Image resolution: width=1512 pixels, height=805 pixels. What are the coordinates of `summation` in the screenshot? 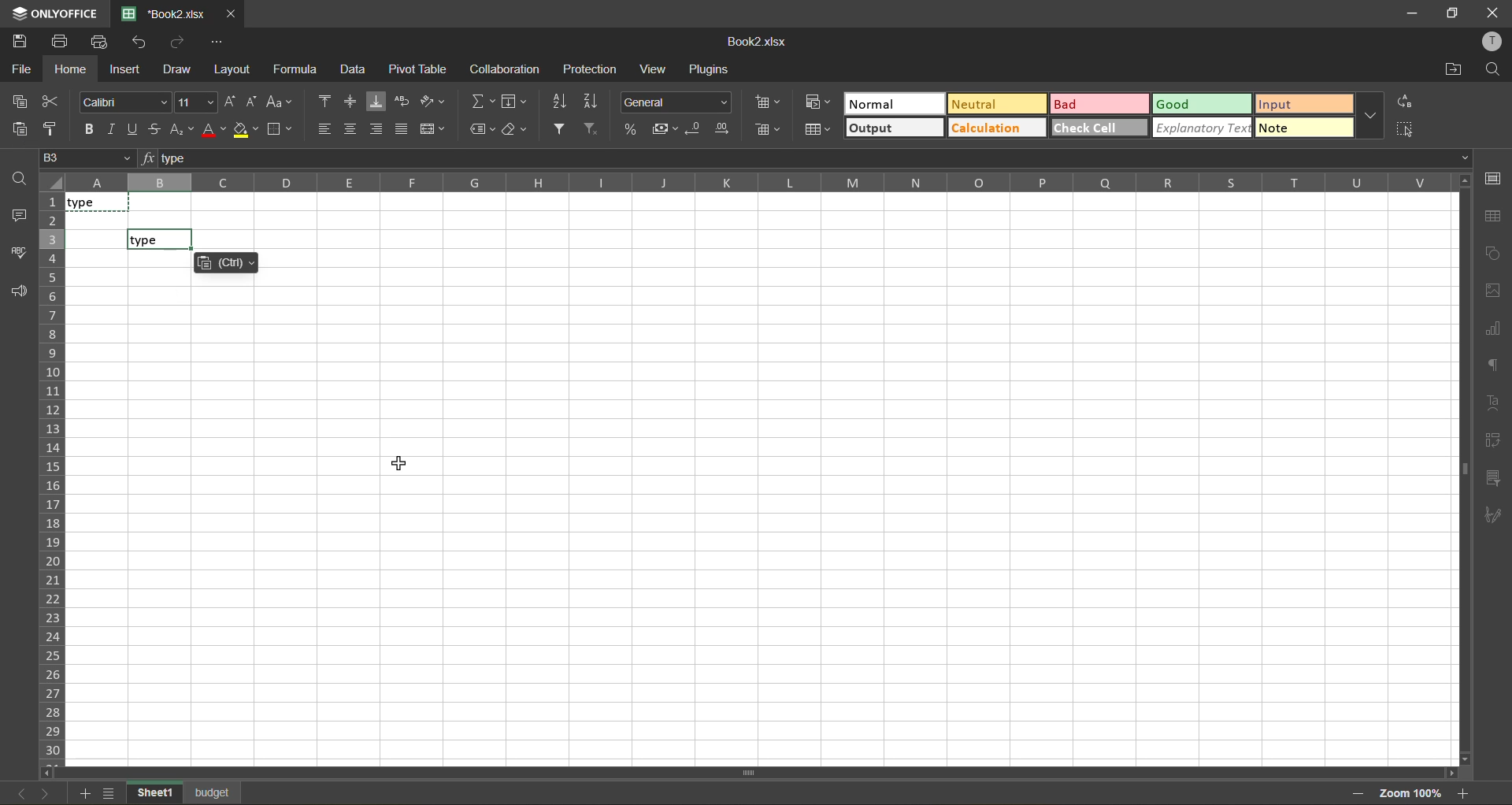 It's located at (481, 98).